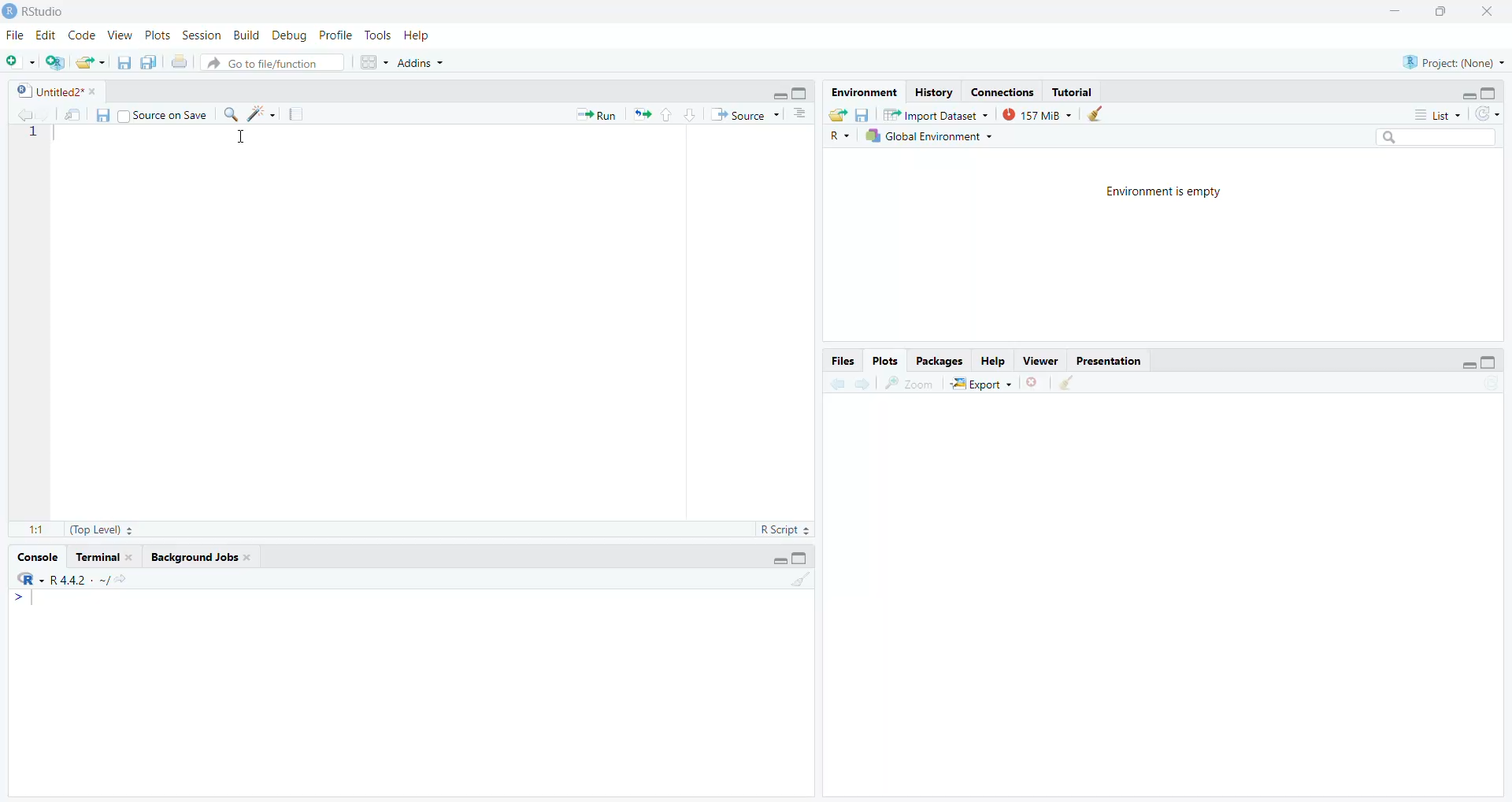  What do you see at coordinates (1470, 366) in the screenshot?
I see `minimize` at bounding box center [1470, 366].